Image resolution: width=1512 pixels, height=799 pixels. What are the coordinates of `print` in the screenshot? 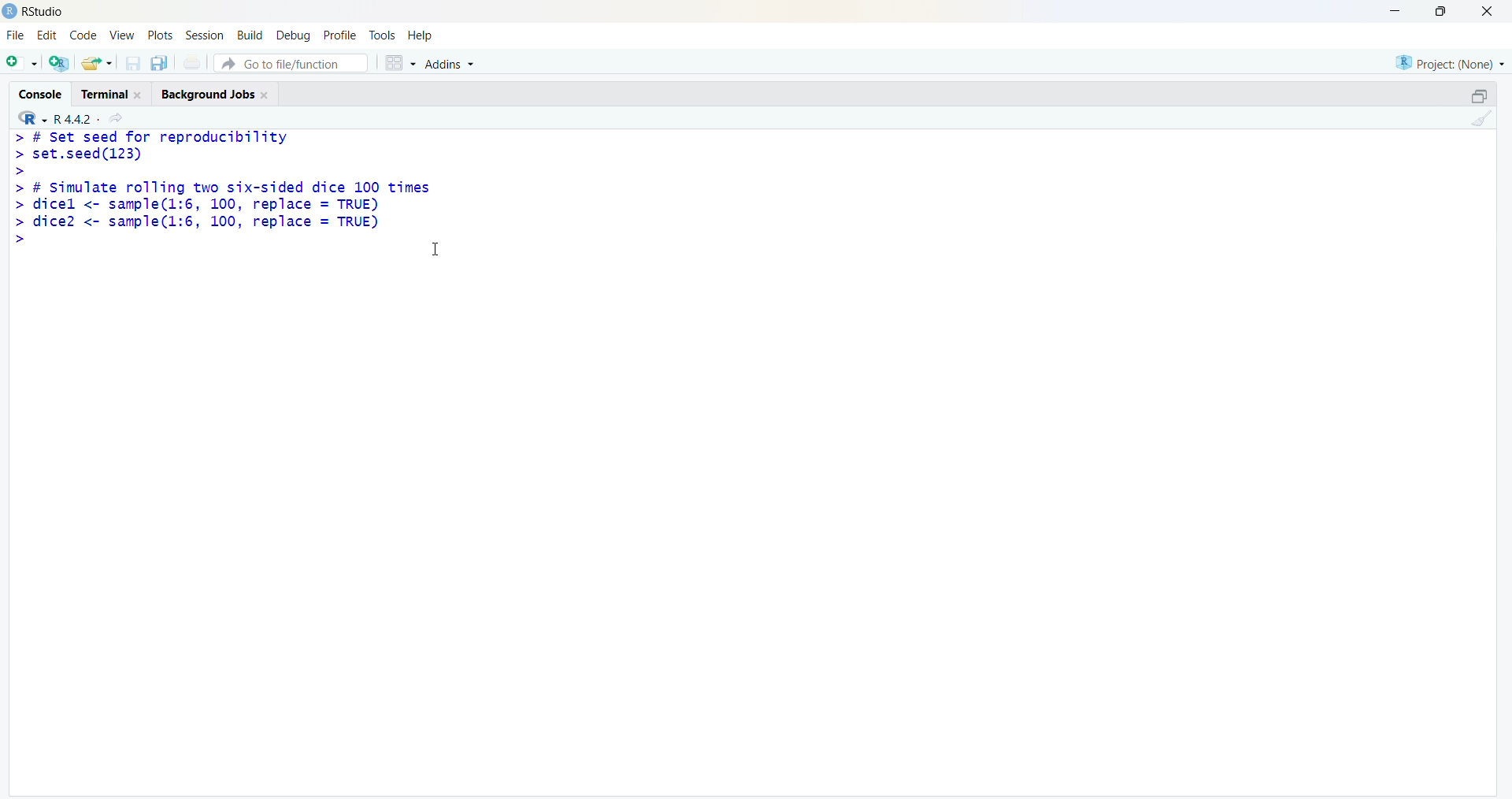 It's located at (192, 62).